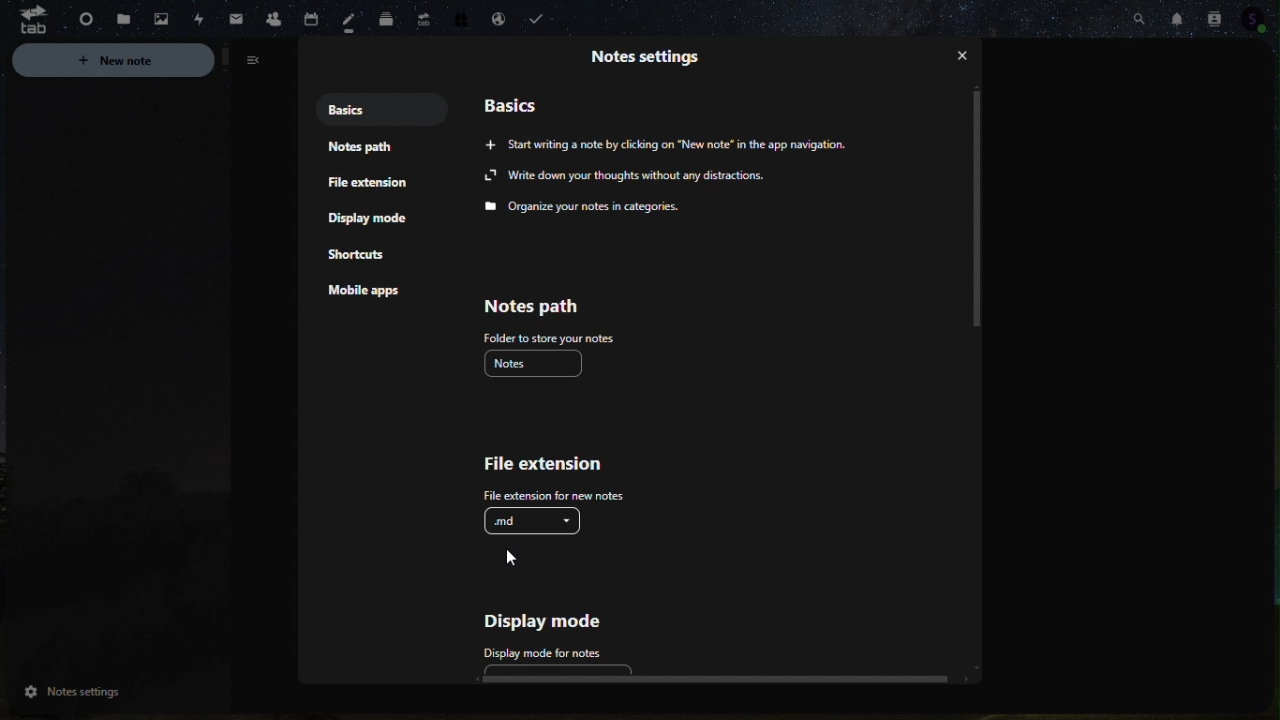 The image size is (1280, 720). I want to click on Note settings, so click(654, 55).